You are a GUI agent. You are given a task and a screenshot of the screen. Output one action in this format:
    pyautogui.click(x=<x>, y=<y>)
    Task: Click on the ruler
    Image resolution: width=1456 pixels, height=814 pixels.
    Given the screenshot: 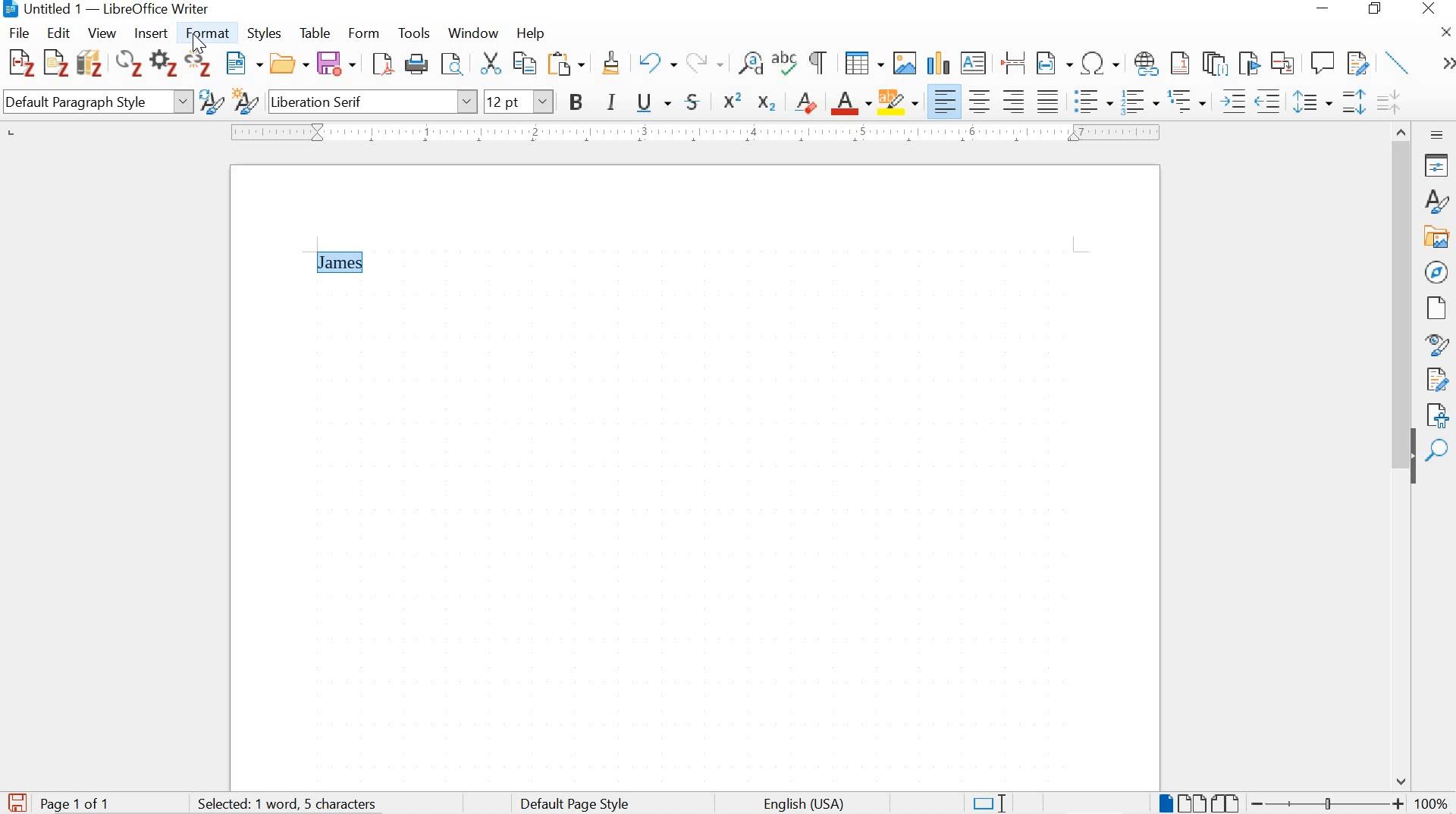 What is the action you would take?
    pyautogui.click(x=692, y=133)
    